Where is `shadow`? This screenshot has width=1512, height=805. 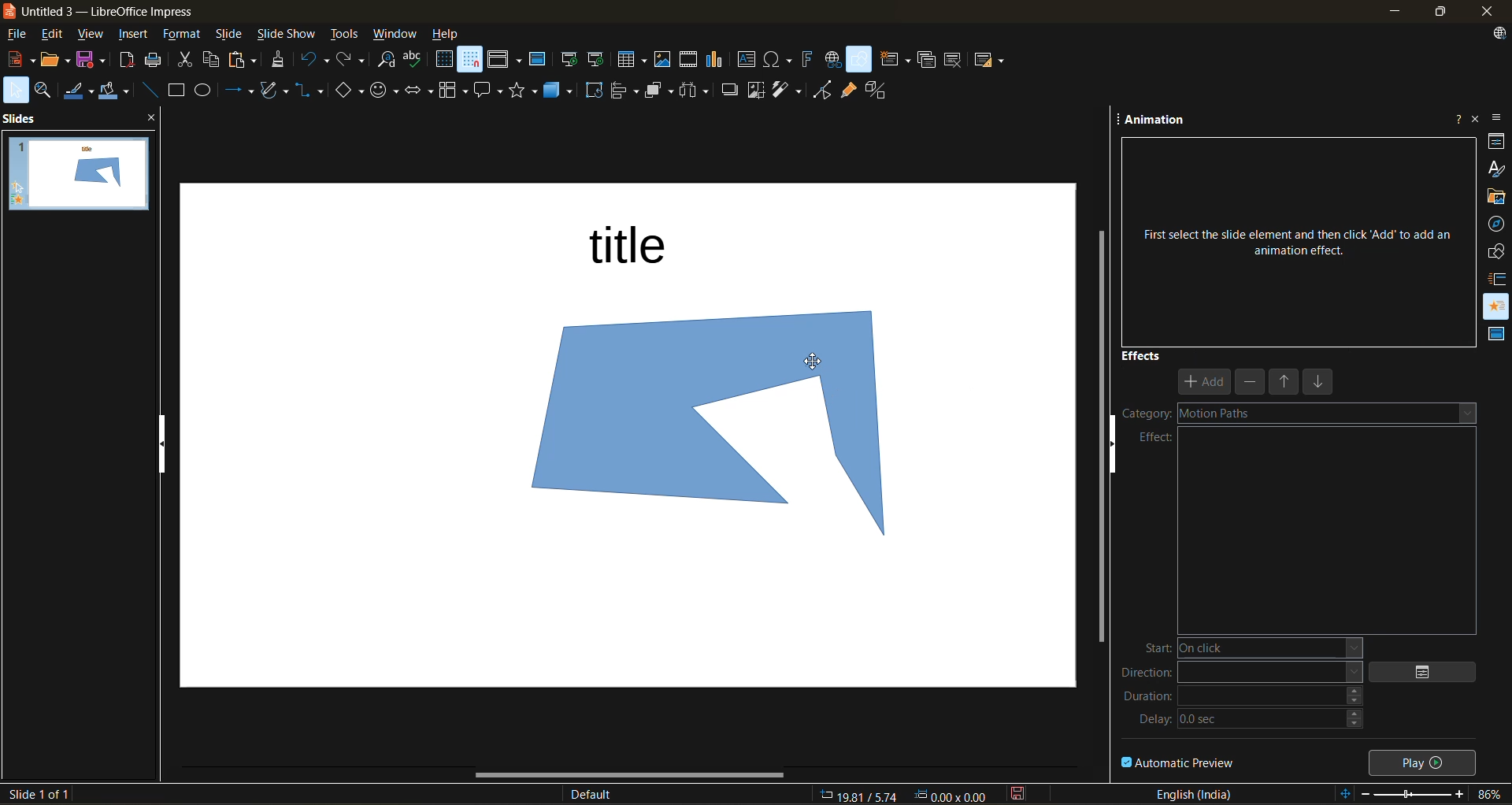 shadow is located at coordinates (731, 90).